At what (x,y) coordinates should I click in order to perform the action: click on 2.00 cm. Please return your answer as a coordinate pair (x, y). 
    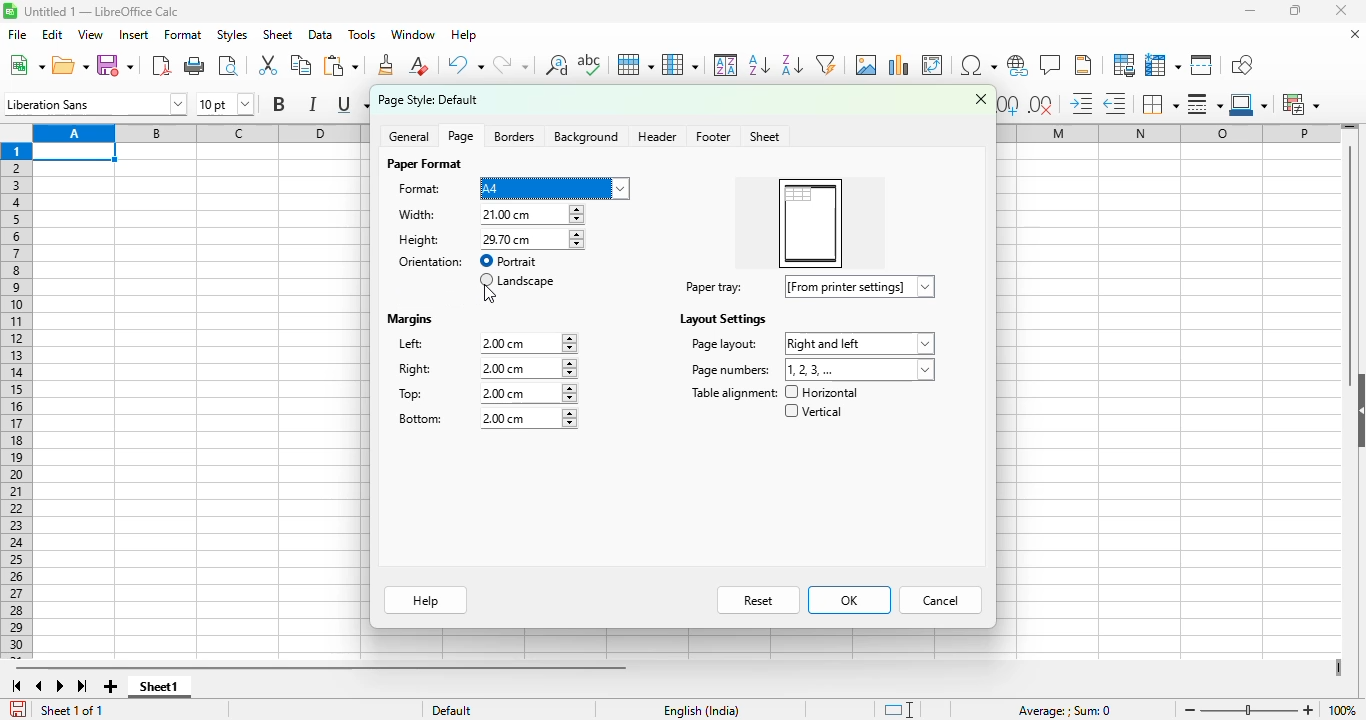
    Looking at the image, I should click on (528, 343).